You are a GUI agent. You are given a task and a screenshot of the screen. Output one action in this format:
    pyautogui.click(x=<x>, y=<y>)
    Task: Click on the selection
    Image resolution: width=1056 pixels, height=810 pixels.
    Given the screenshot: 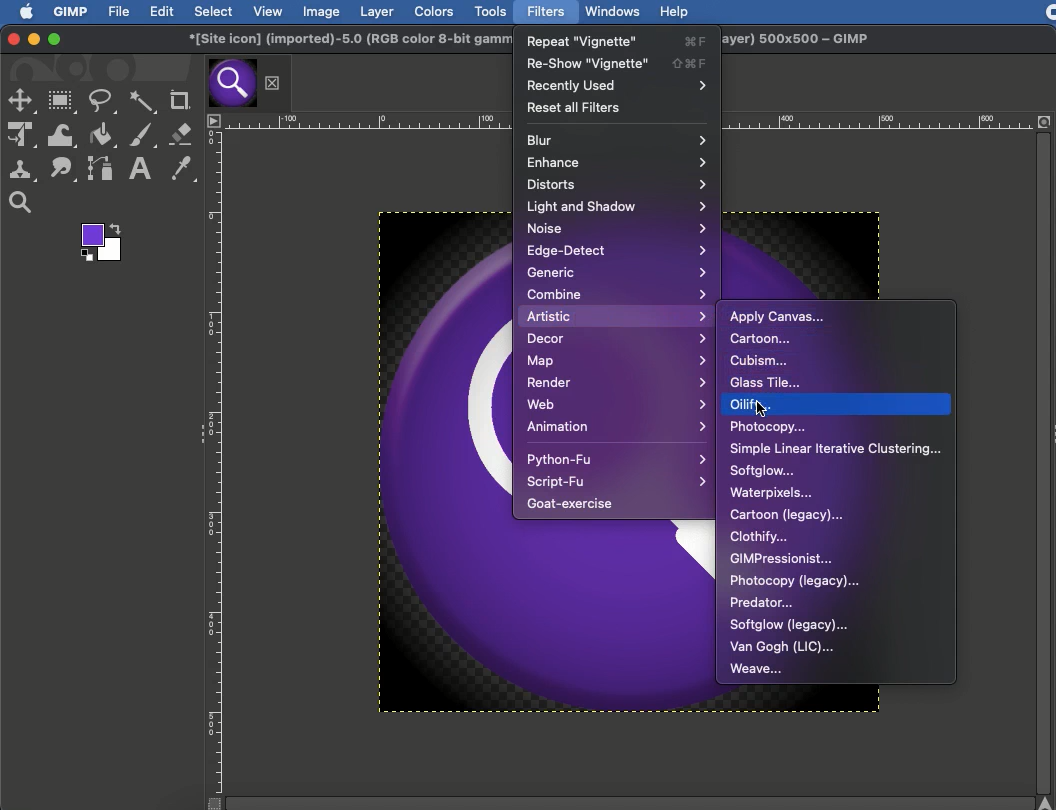 What is the action you would take?
    pyautogui.click(x=23, y=103)
    